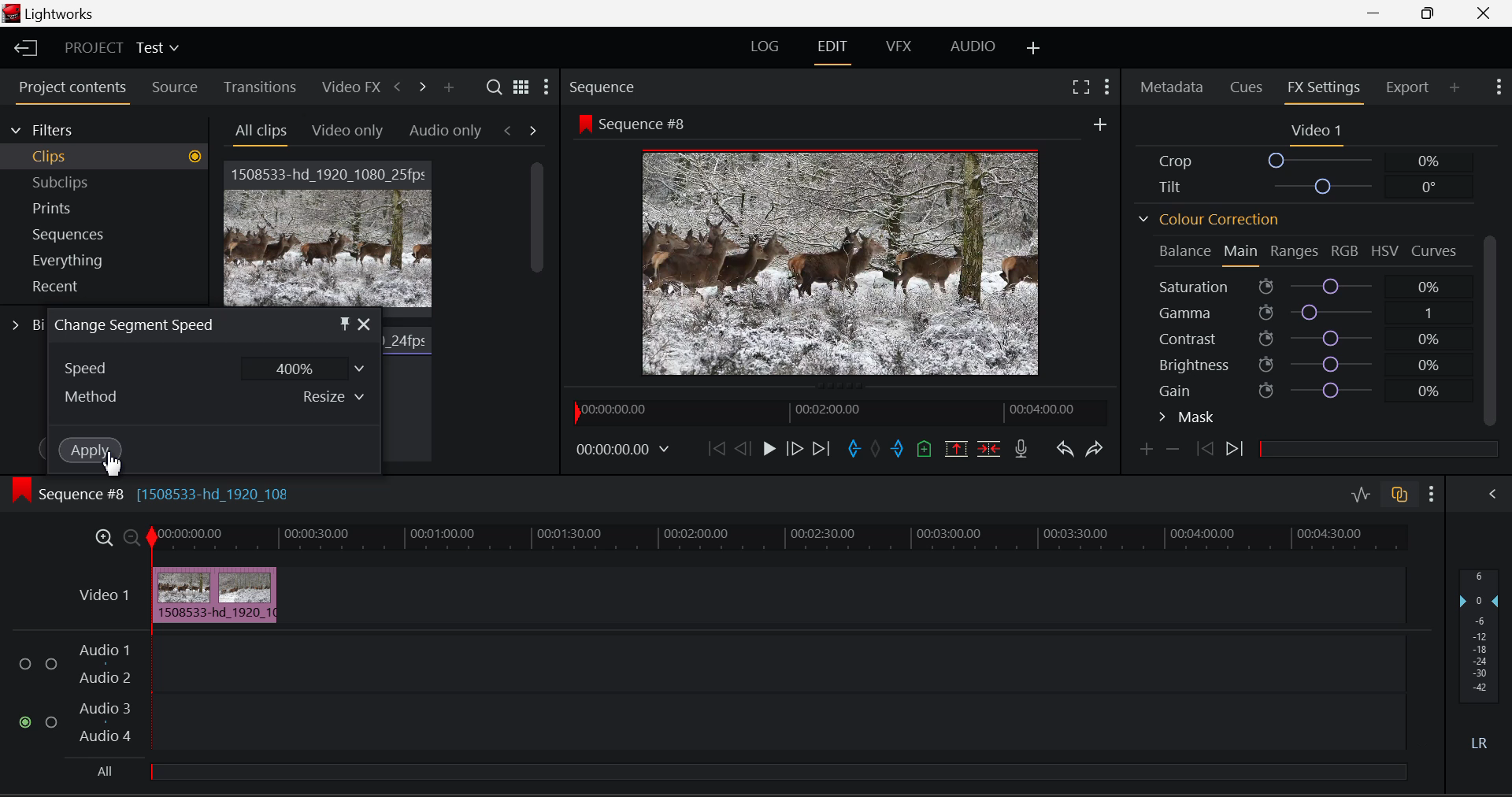  Describe the element at coordinates (1100, 126) in the screenshot. I see `More Options` at that location.